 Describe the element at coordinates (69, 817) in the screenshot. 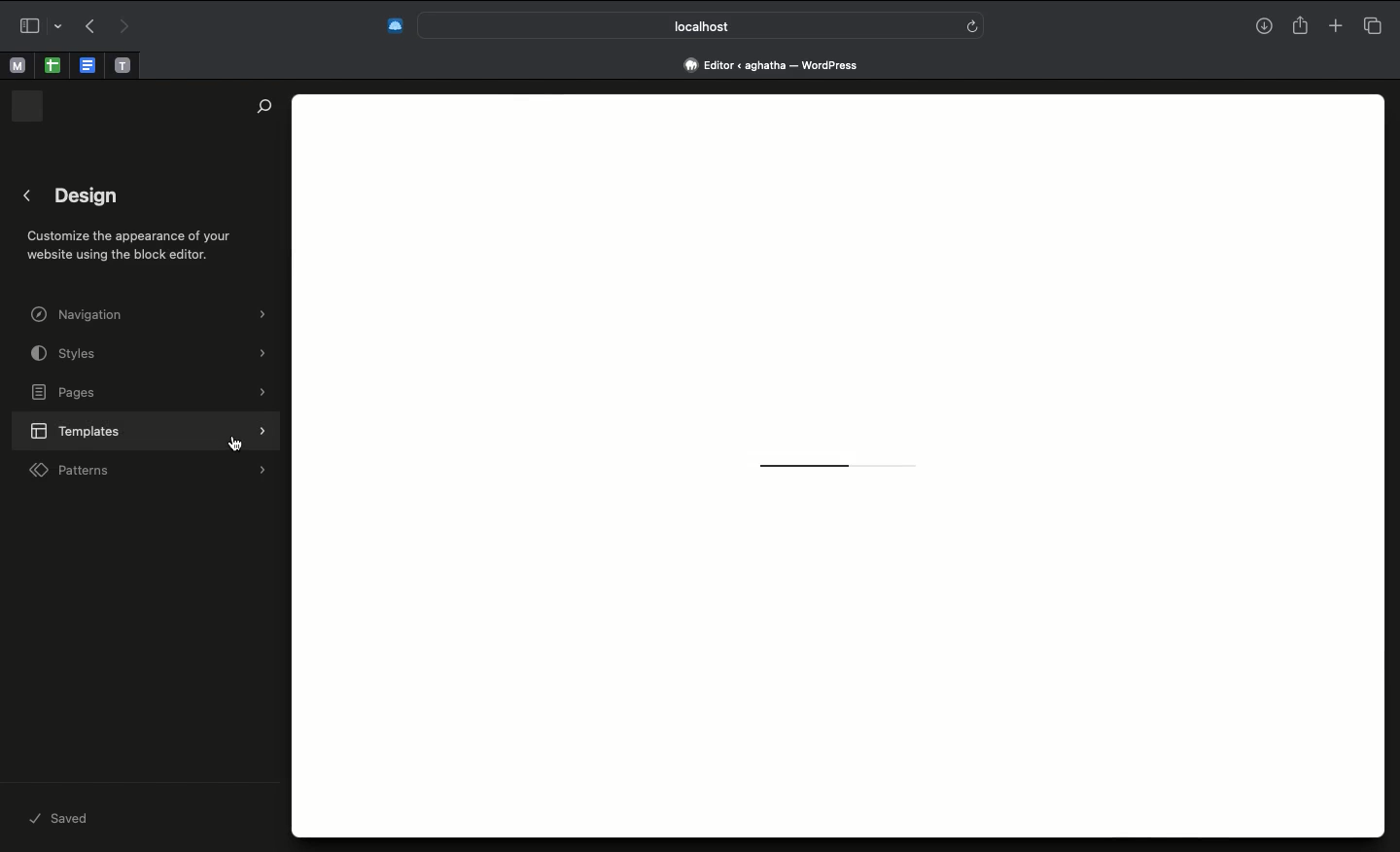

I see `Saved` at that location.